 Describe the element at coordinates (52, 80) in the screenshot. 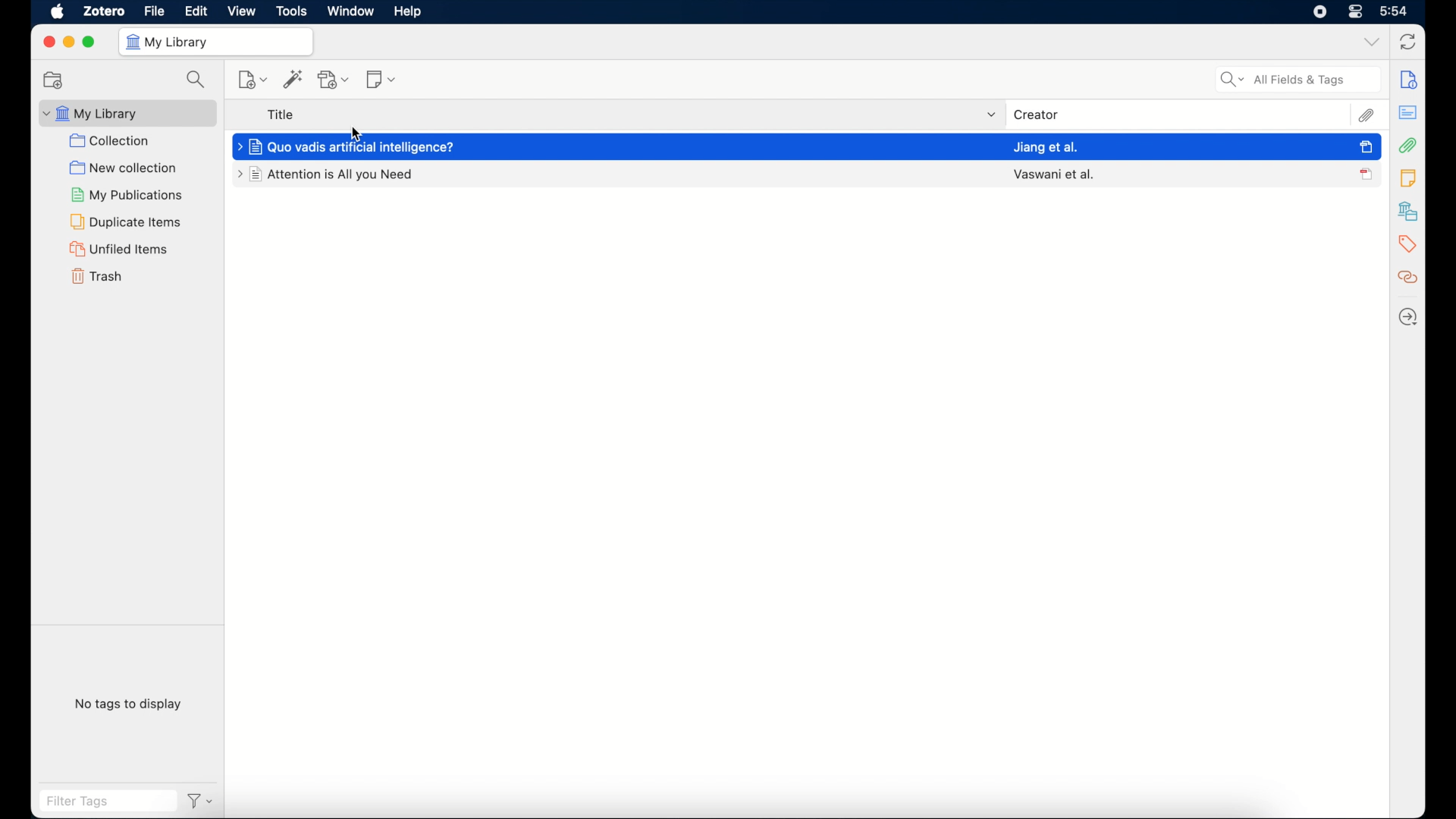

I see `new collection` at that location.